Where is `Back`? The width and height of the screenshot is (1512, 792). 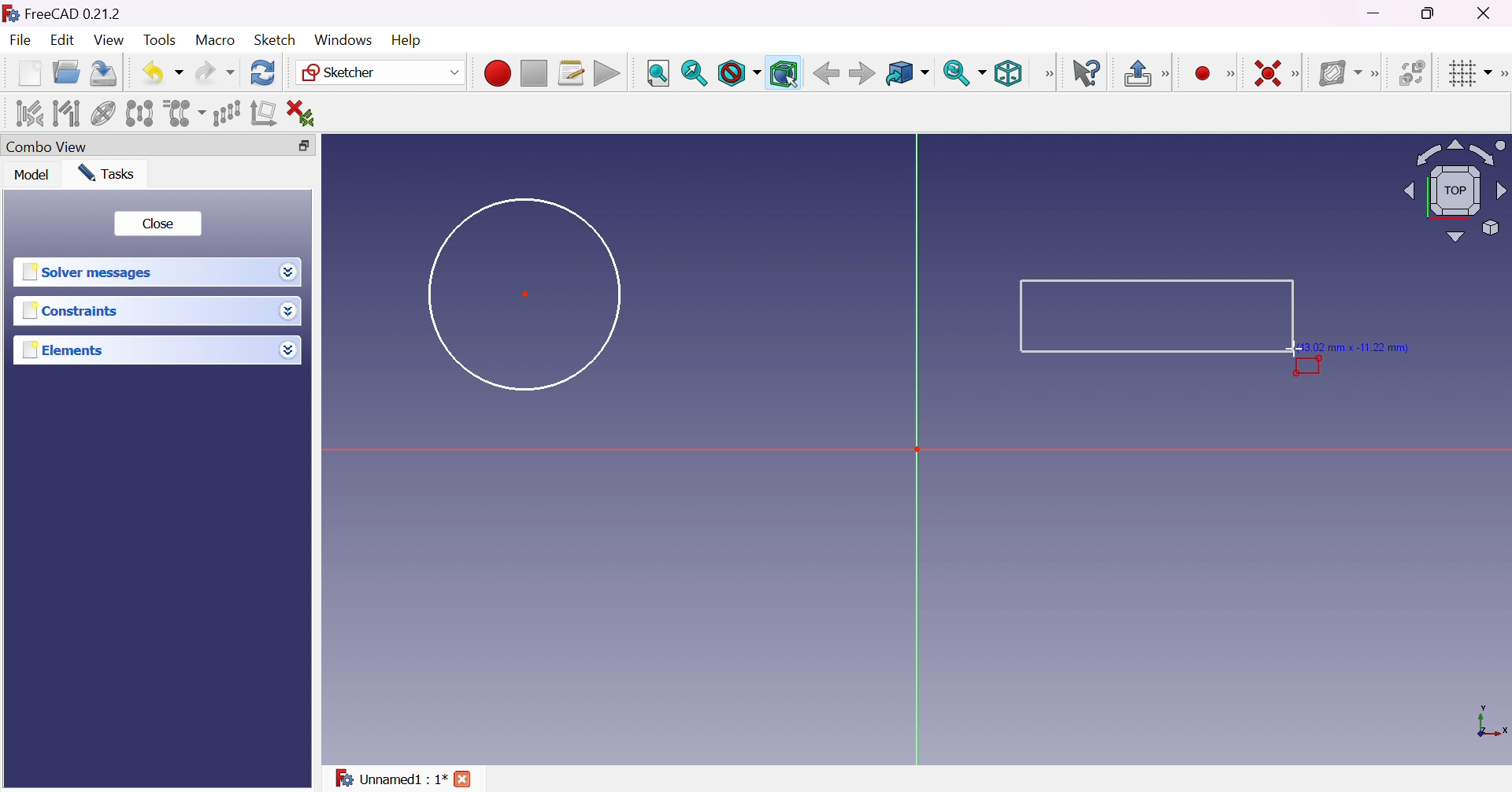
Back is located at coordinates (826, 72).